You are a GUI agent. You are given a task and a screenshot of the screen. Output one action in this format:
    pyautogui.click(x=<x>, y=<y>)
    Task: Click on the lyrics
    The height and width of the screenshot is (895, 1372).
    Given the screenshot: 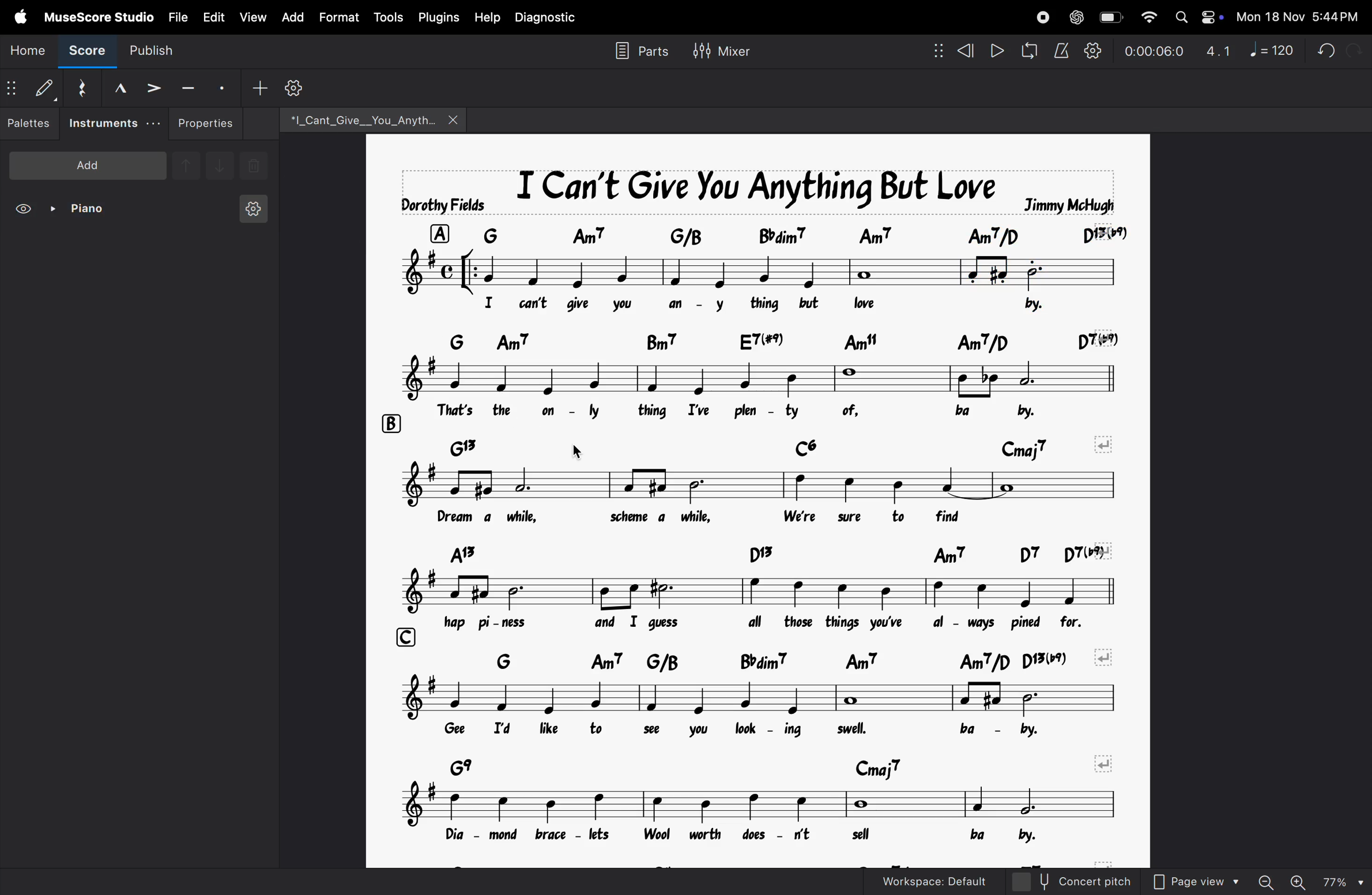 What is the action you would take?
    pyautogui.click(x=773, y=304)
    